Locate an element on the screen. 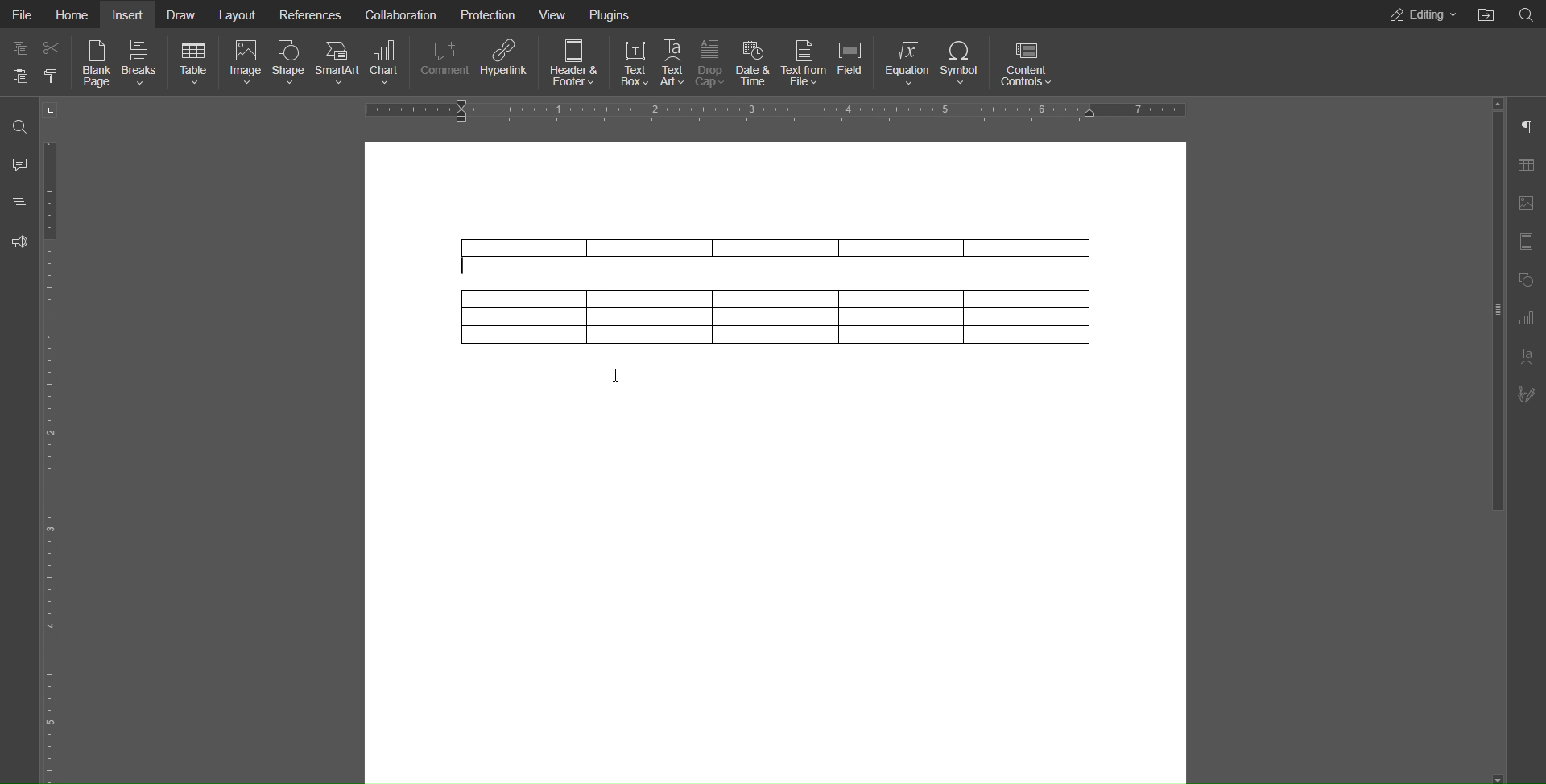 The image size is (1546, 784). Cursor is located at coordinates (622, 381).